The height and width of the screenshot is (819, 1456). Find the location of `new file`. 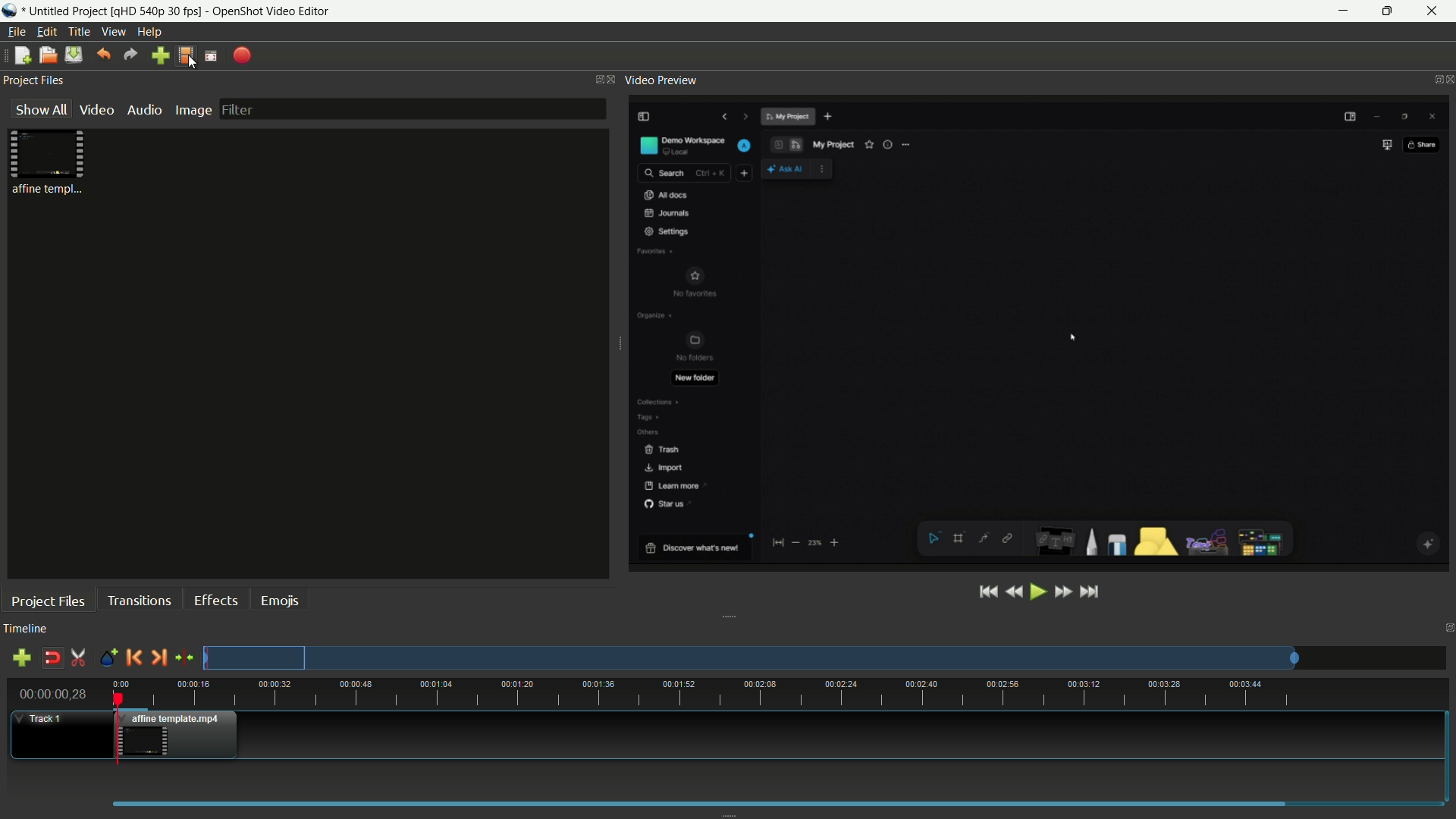

new file is located at coordinates (20, 55).